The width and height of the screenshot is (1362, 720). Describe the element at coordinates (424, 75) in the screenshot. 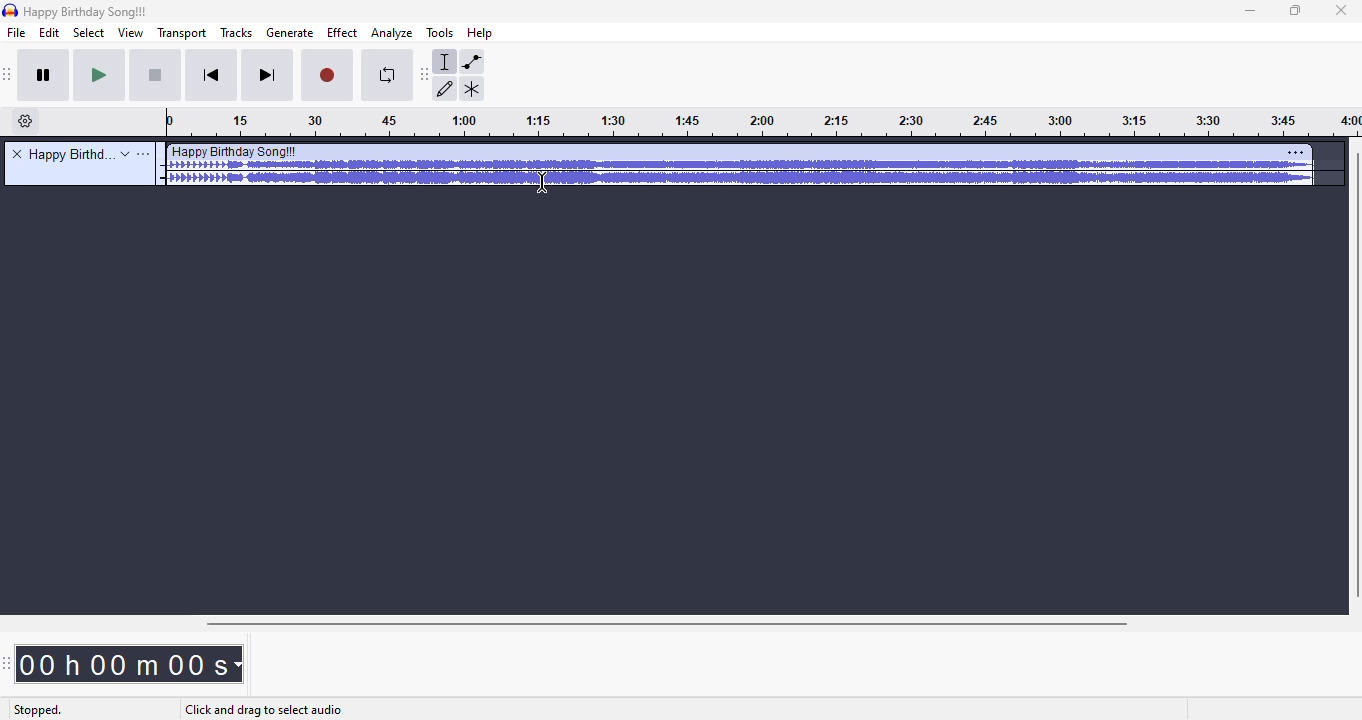

I see `audacity tools toolbar` at that location.